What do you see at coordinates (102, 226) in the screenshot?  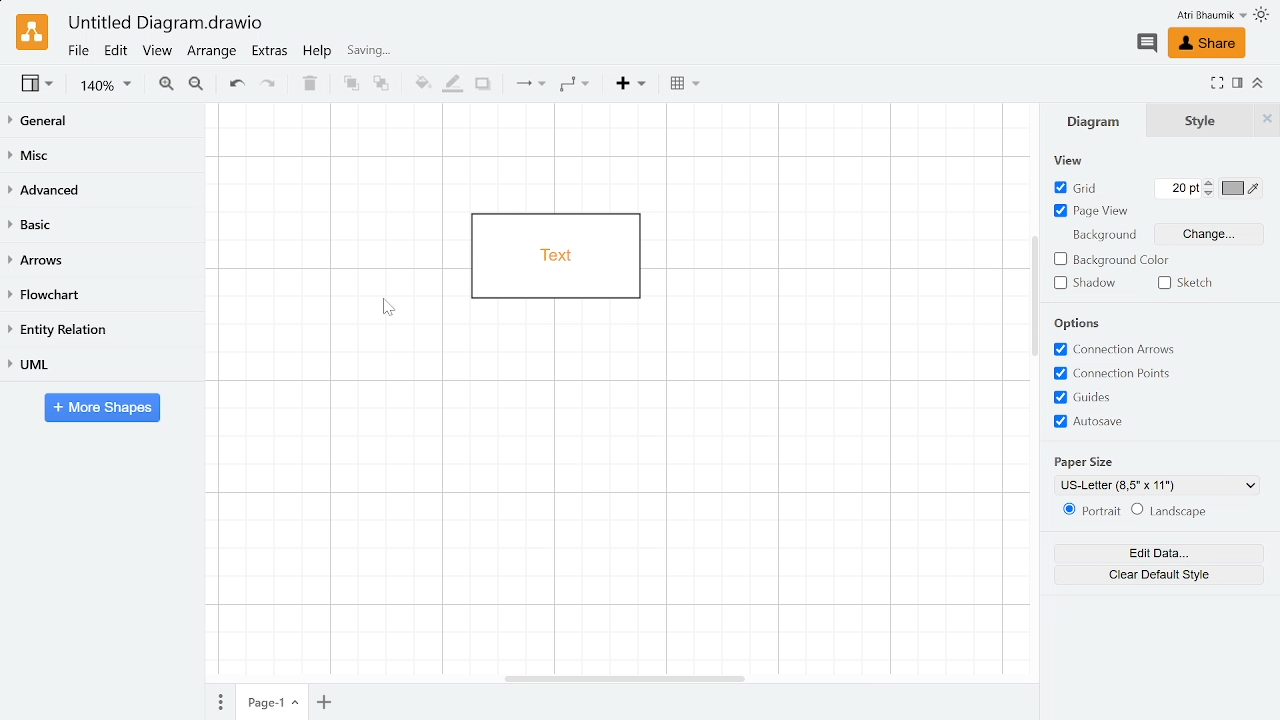 I see `basic` at bounding box center [102, 226].